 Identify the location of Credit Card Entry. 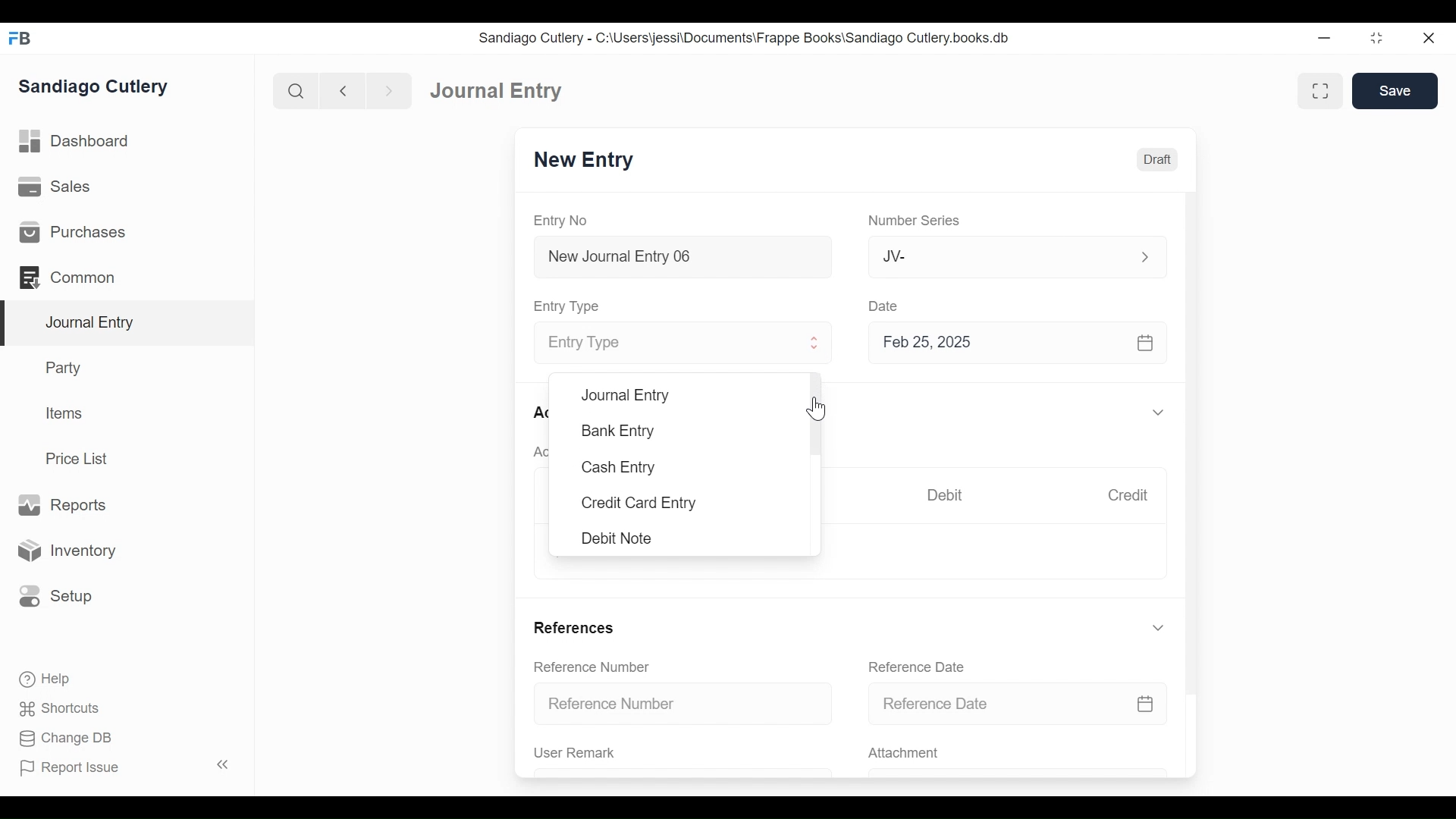
(639, 504).